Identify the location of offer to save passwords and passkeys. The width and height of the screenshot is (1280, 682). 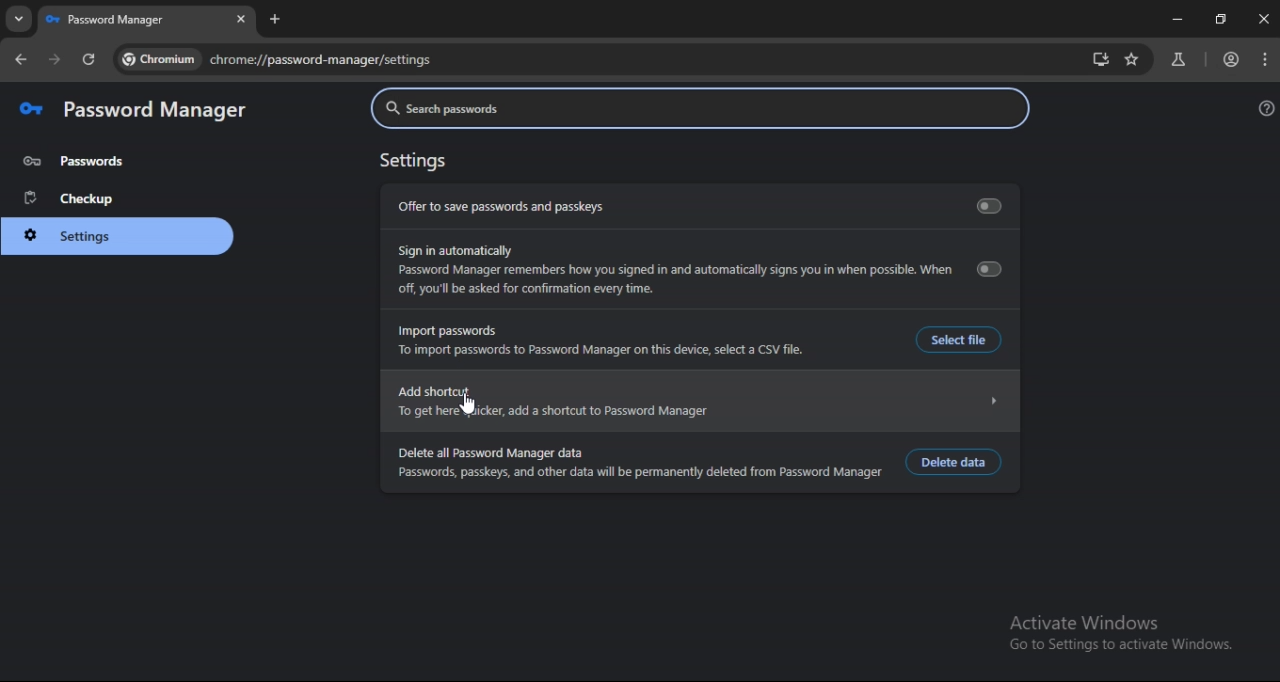
(697, 205).